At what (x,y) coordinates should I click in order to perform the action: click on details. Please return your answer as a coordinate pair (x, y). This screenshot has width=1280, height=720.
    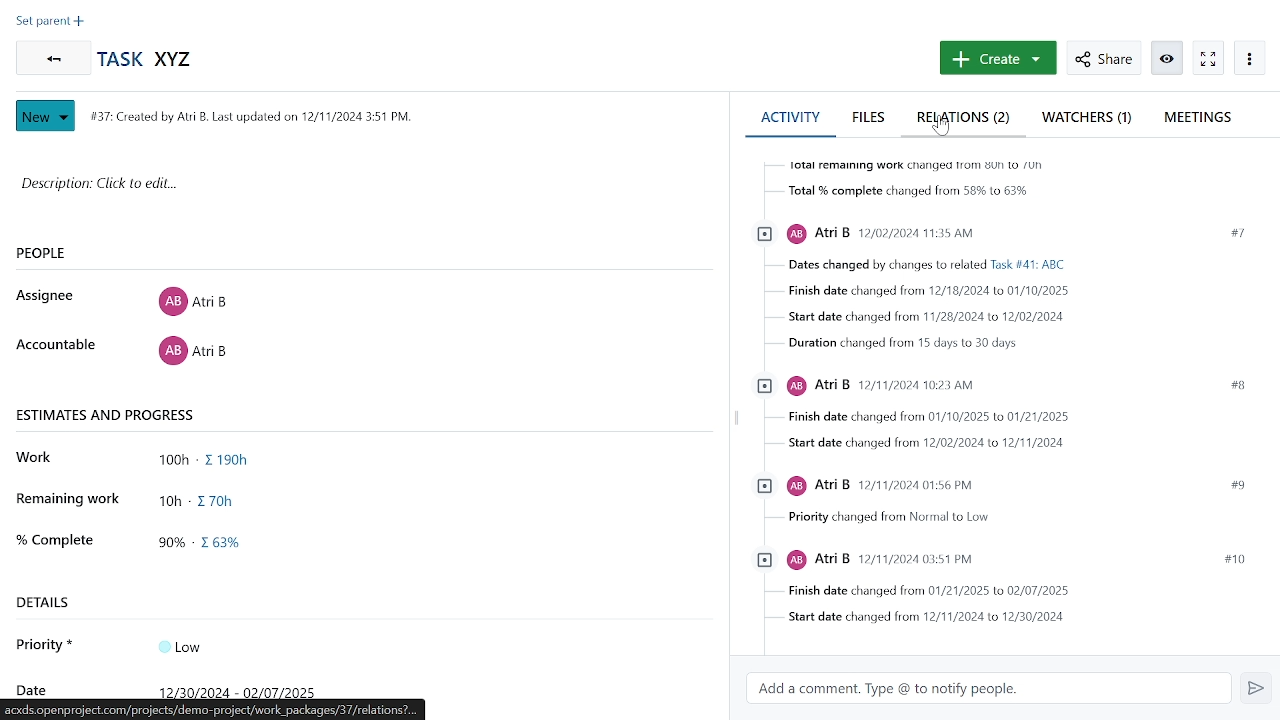
    Looking at the image, I should click on (51, 602).